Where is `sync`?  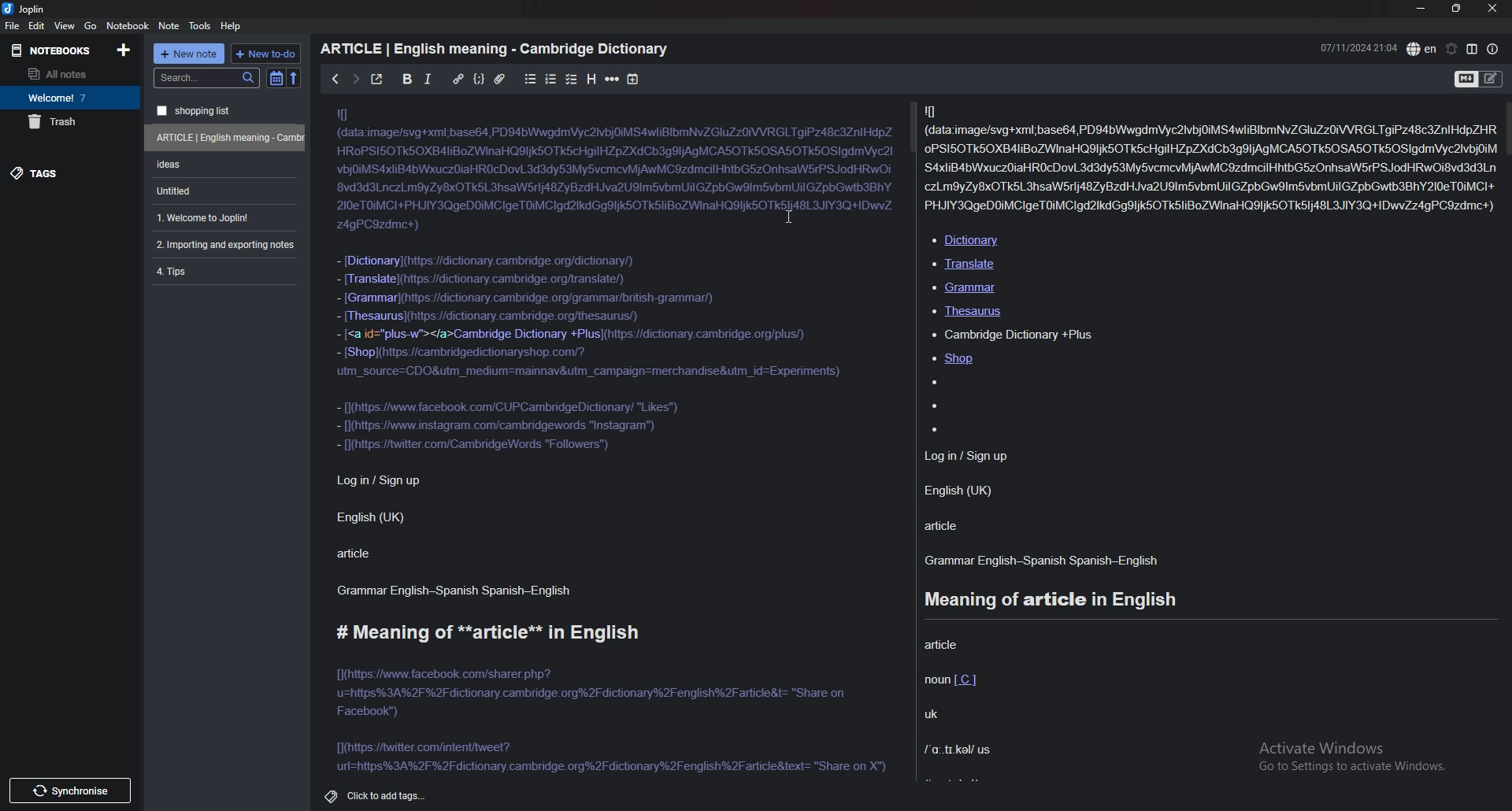
sync is located at coordinates (72, 791).